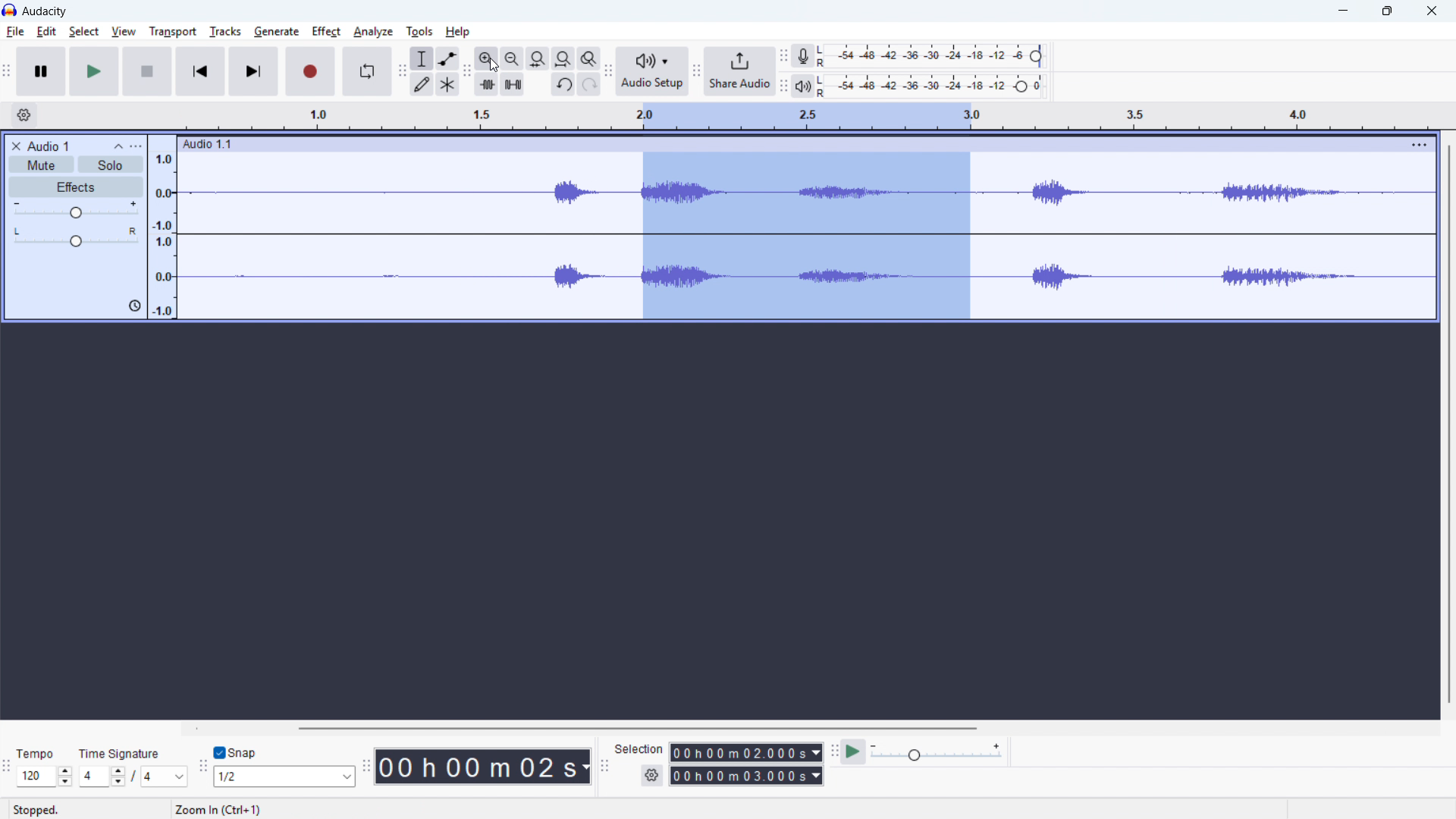 The image size is (1456, 819). I want to click on Transport, so click(173, 32).